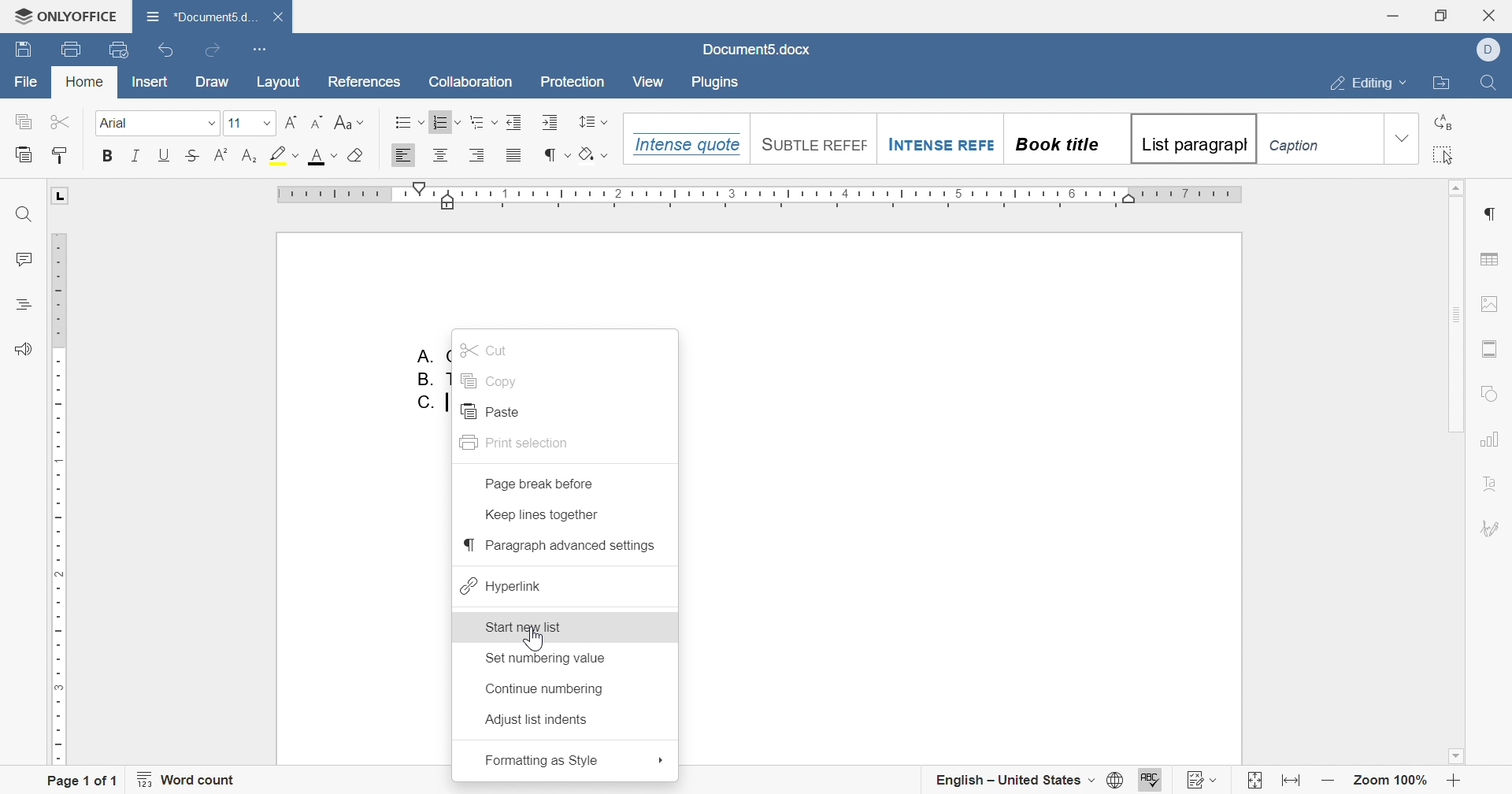  Describe the element at coordinates (269, 122) in the screenshot. I see `drop down` at that location.